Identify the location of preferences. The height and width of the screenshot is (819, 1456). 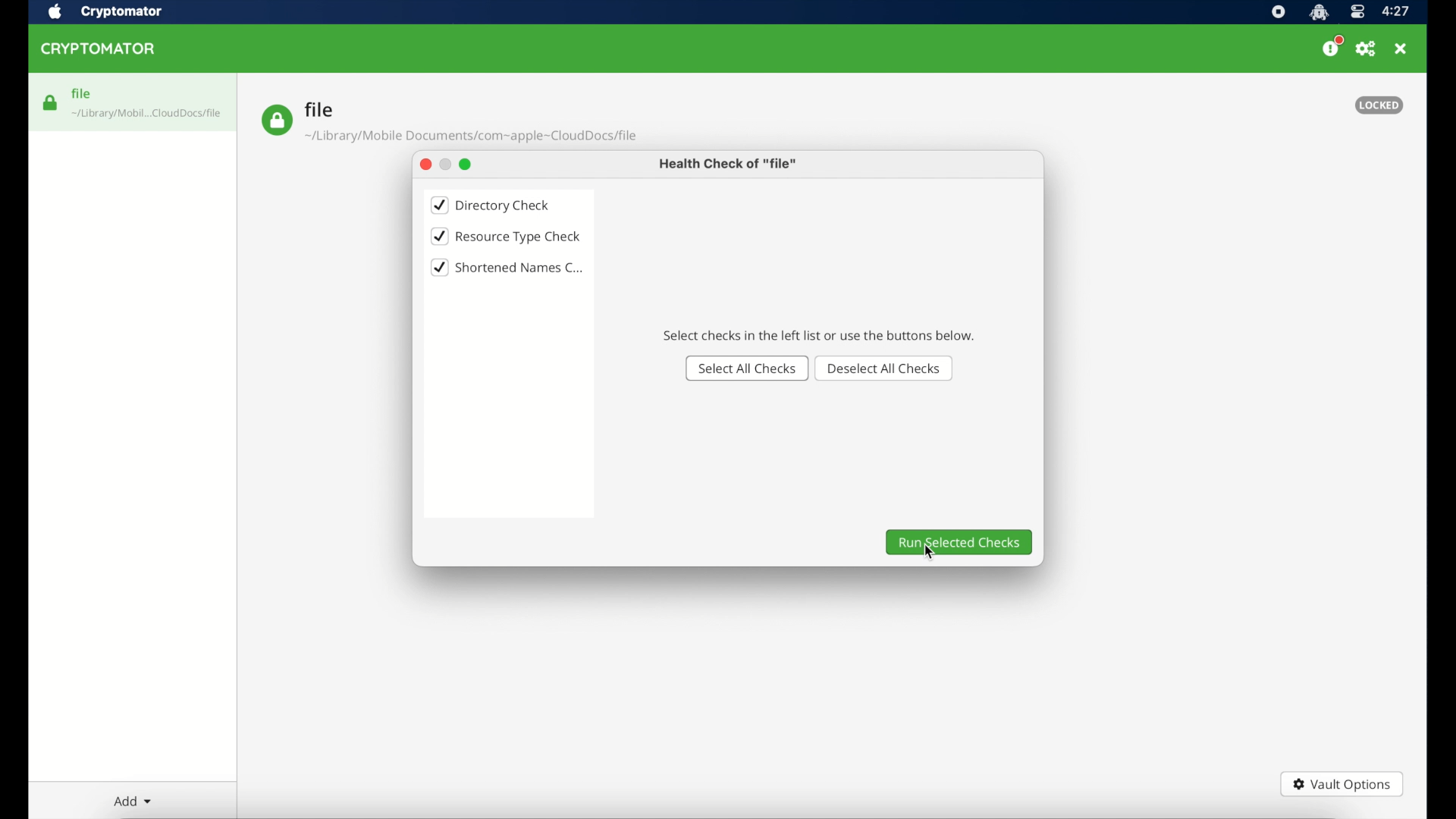
(1367, 49).